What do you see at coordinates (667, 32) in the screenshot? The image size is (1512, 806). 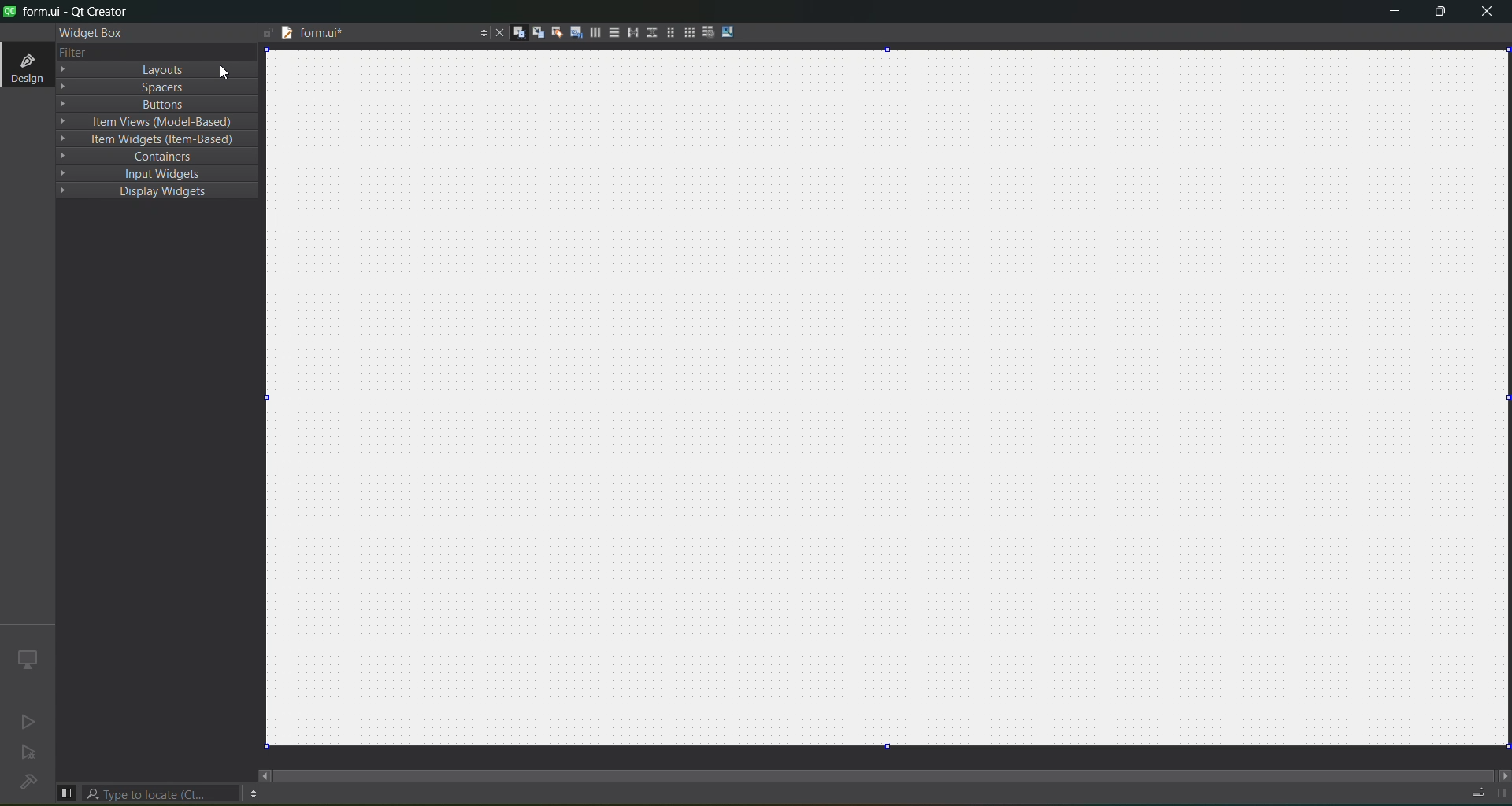 I see `form layout` at bounding box center [667, 32].